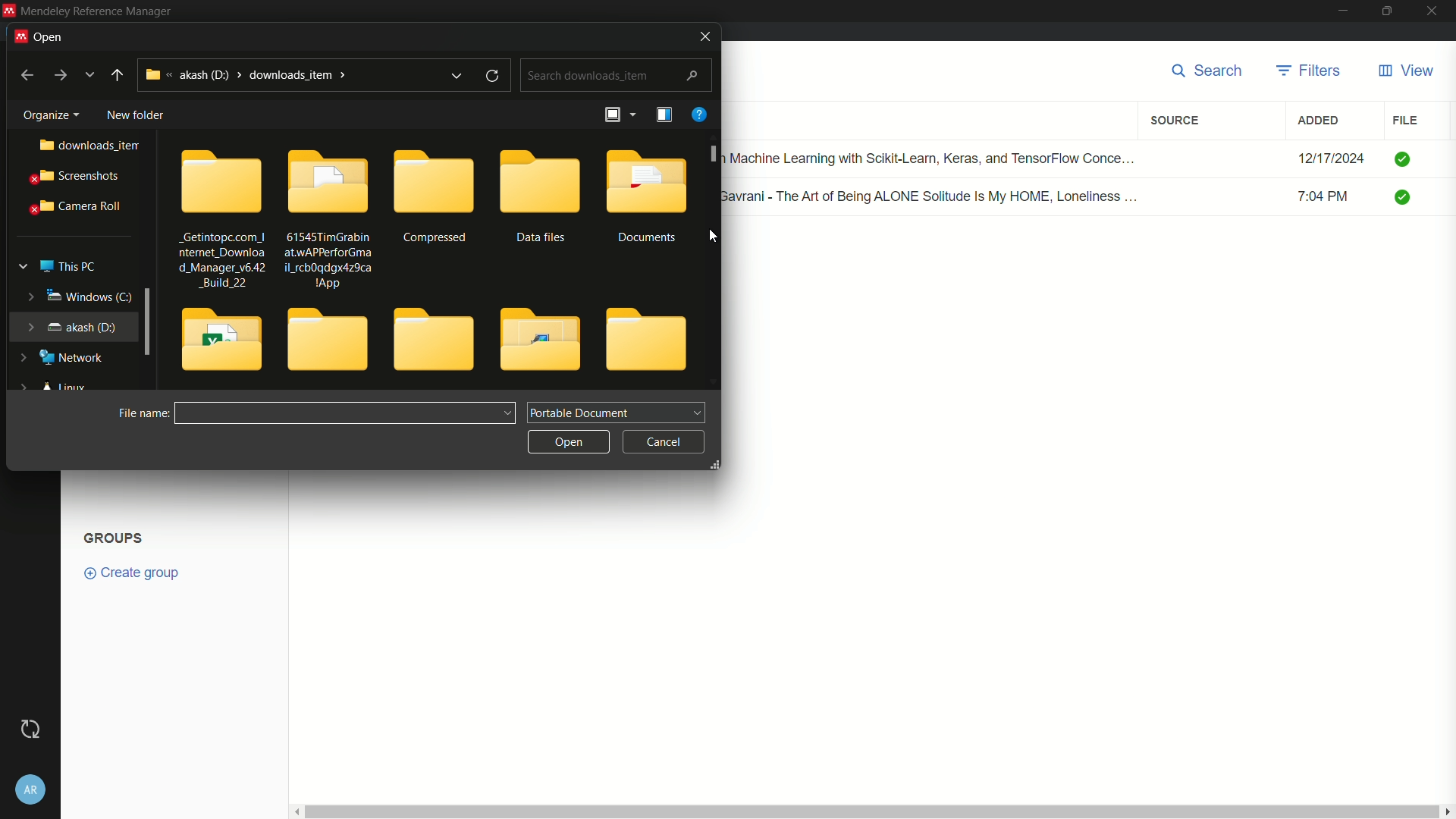 The height and width of the screenshot is (819, 1456). Describe the element at coordinates (431, 339) in the screenshot. I see `folder` at that location.